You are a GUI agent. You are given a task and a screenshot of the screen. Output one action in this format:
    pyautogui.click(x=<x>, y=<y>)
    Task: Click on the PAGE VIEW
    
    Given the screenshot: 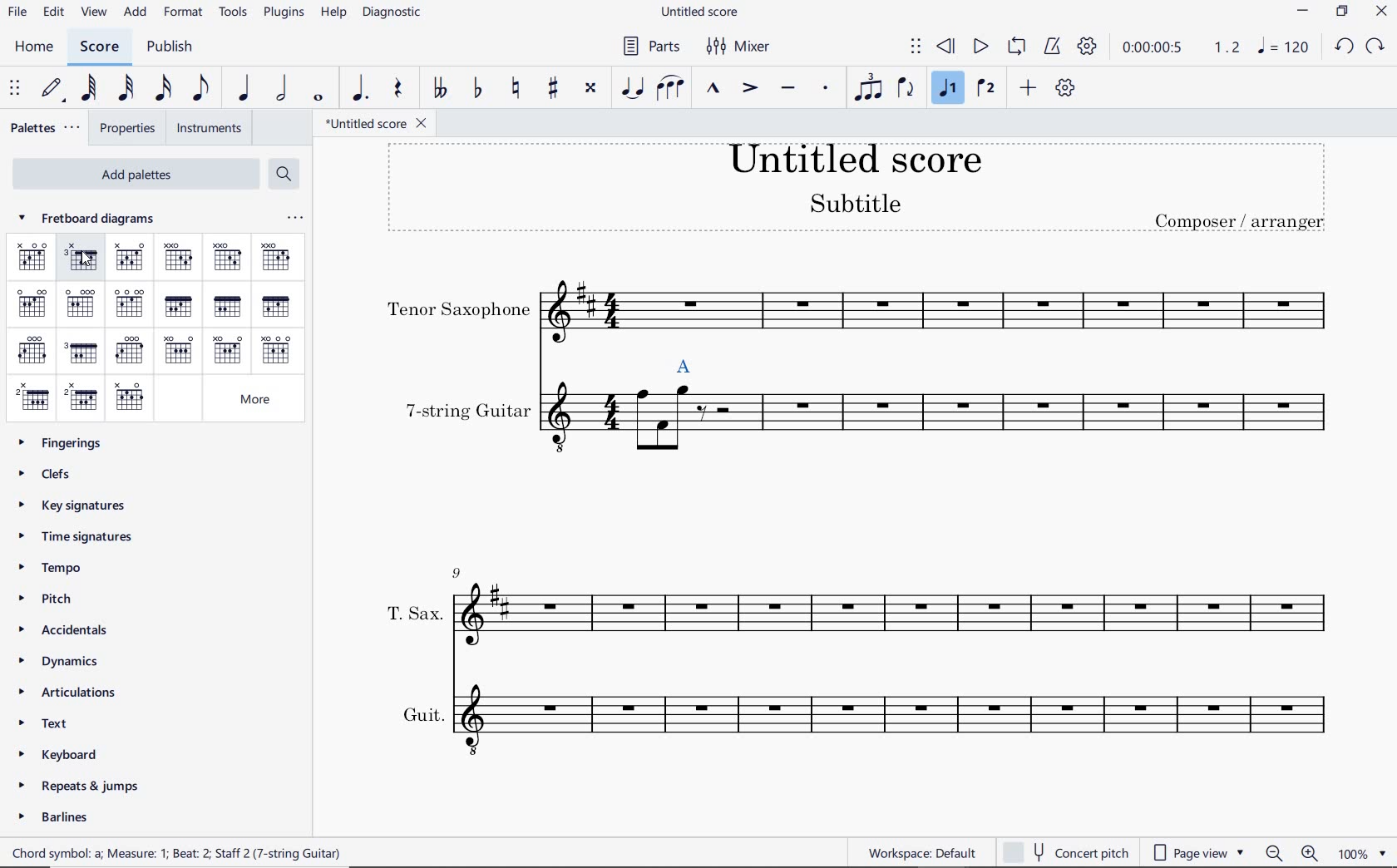 What is the action you would take?
    pyautogui.click(x=1201, y=851)
    